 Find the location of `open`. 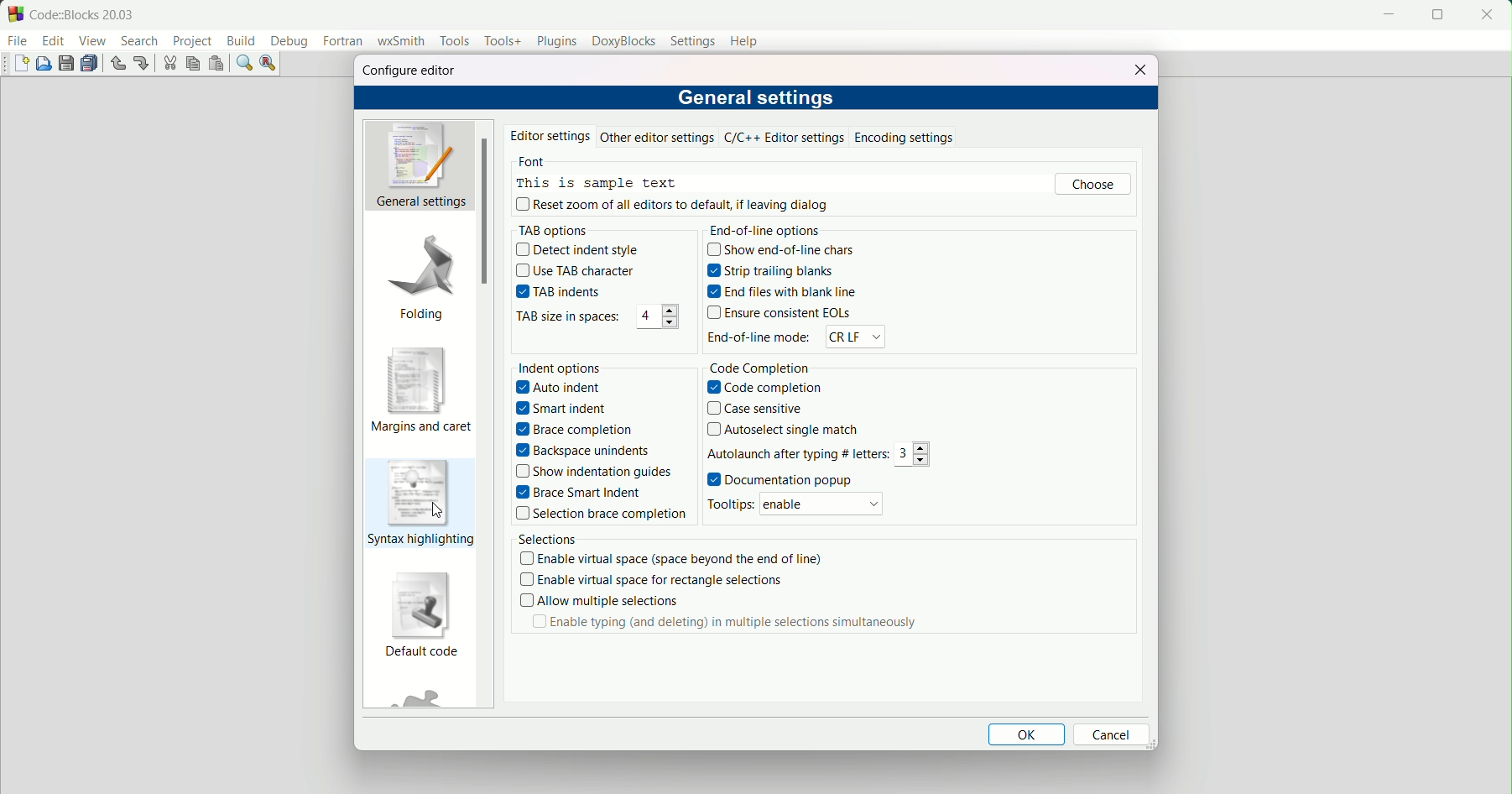

open is located at coordinates (45, 64).